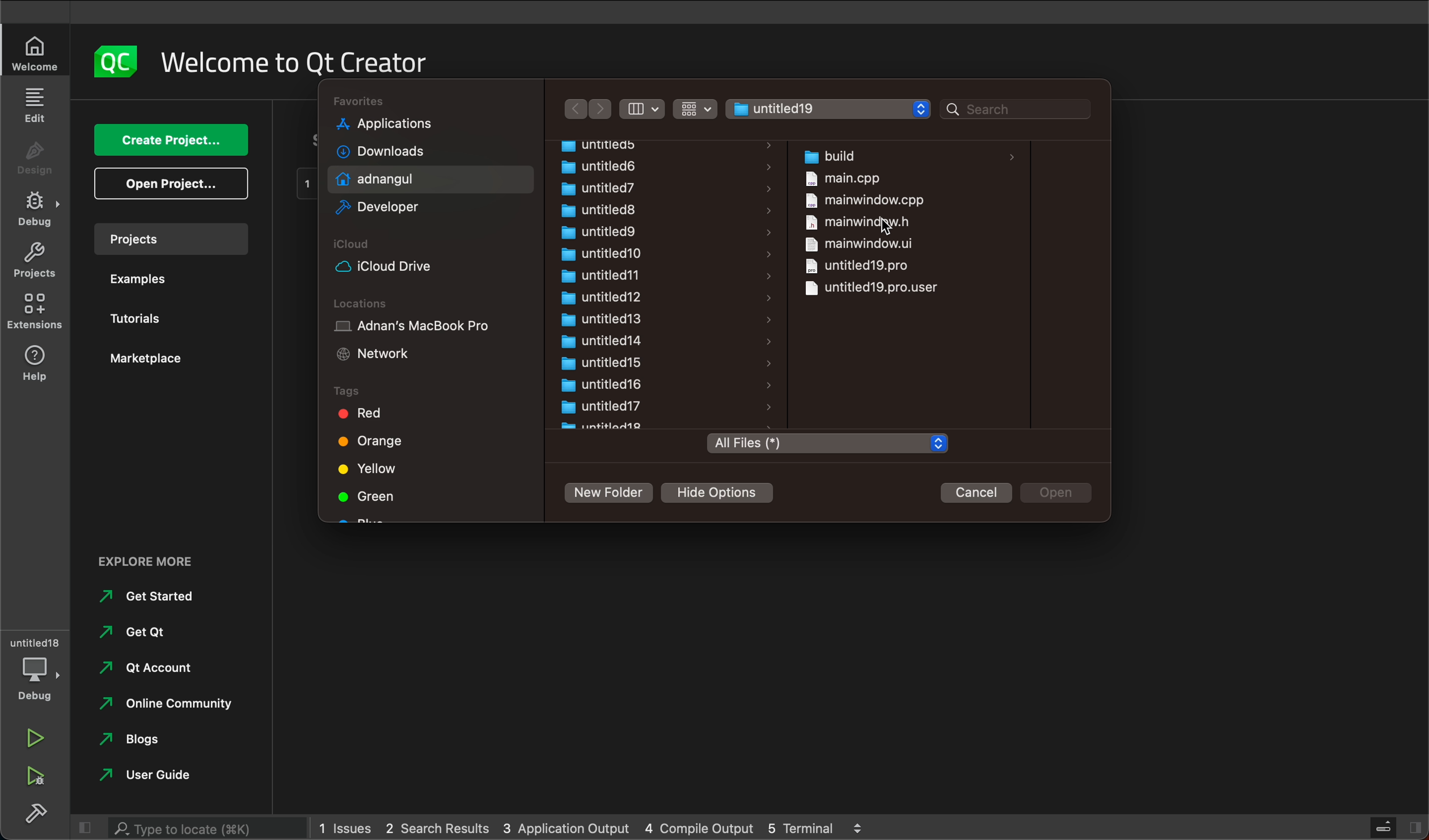 The width and height of the screenshot is (1429, 840). What do you see at coordinates (37, 311) in the screenshot?
I see `extensions` at bounding box center [37, 311].